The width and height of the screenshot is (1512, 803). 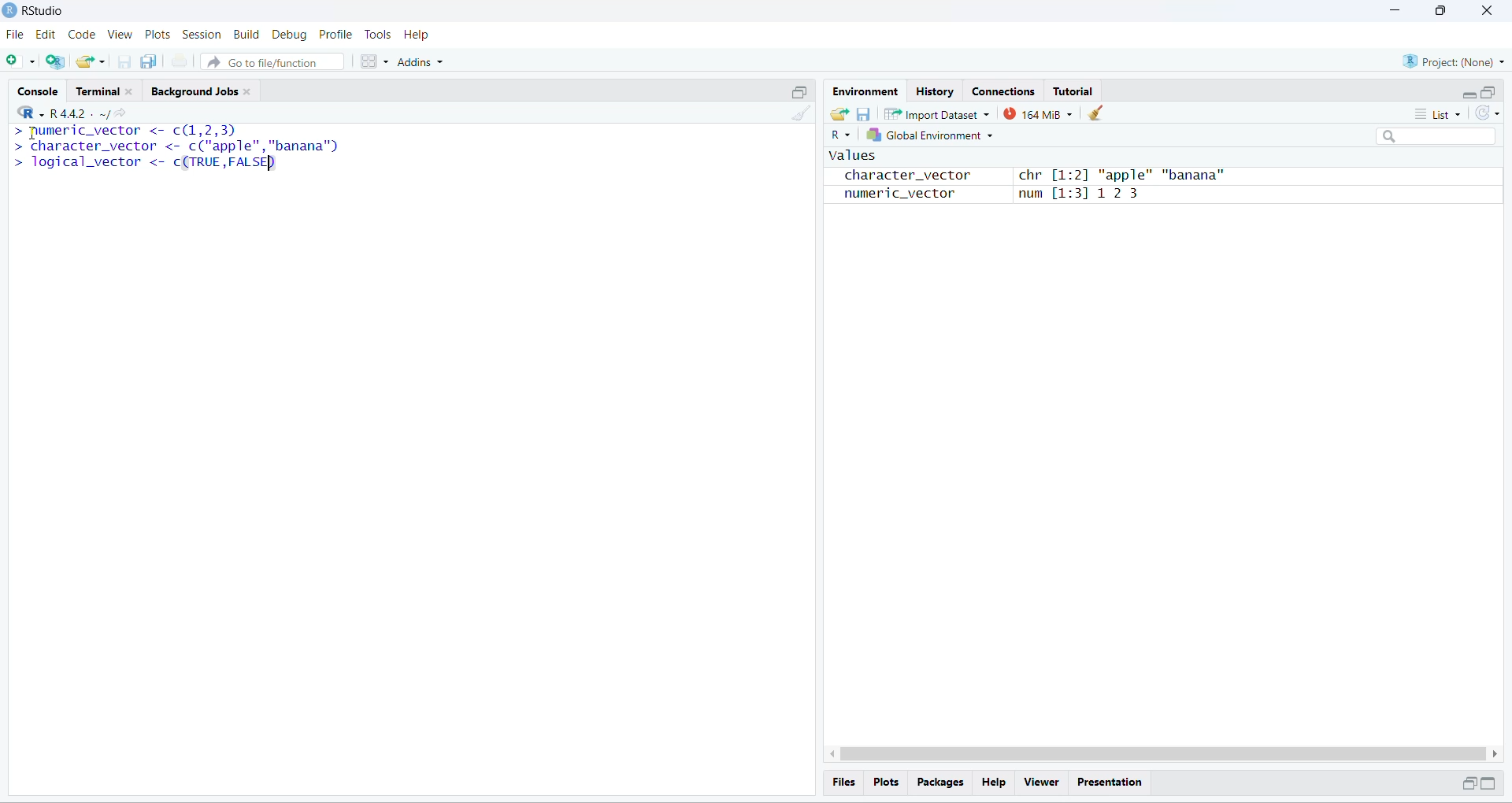 What do you see at coordinates (1489, 783) in the screenshot?
I see `maximize` at bounding box center [1489, 783].